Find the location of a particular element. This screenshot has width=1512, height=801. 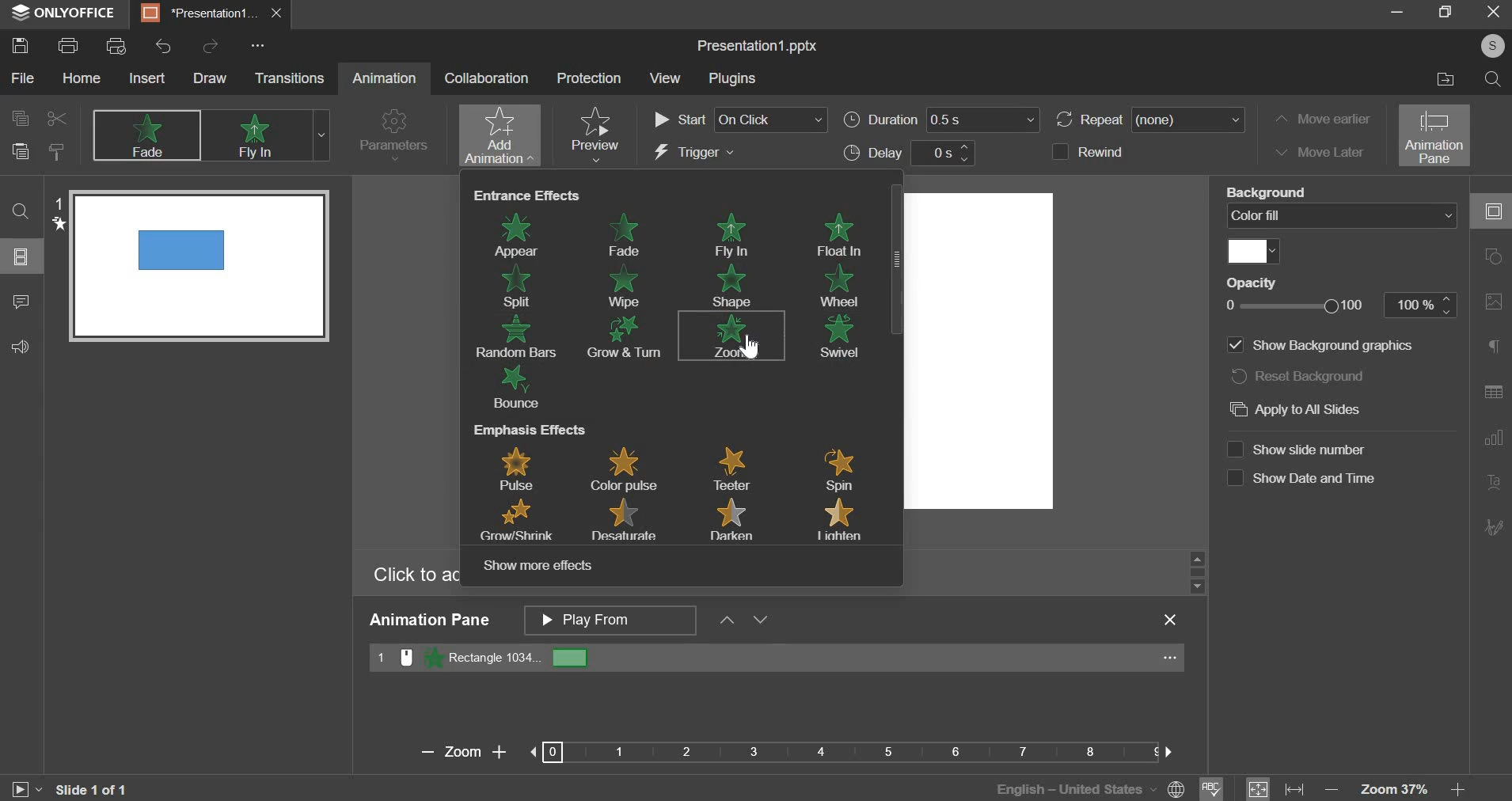

slide layout is located at coordinates (1493, 257).